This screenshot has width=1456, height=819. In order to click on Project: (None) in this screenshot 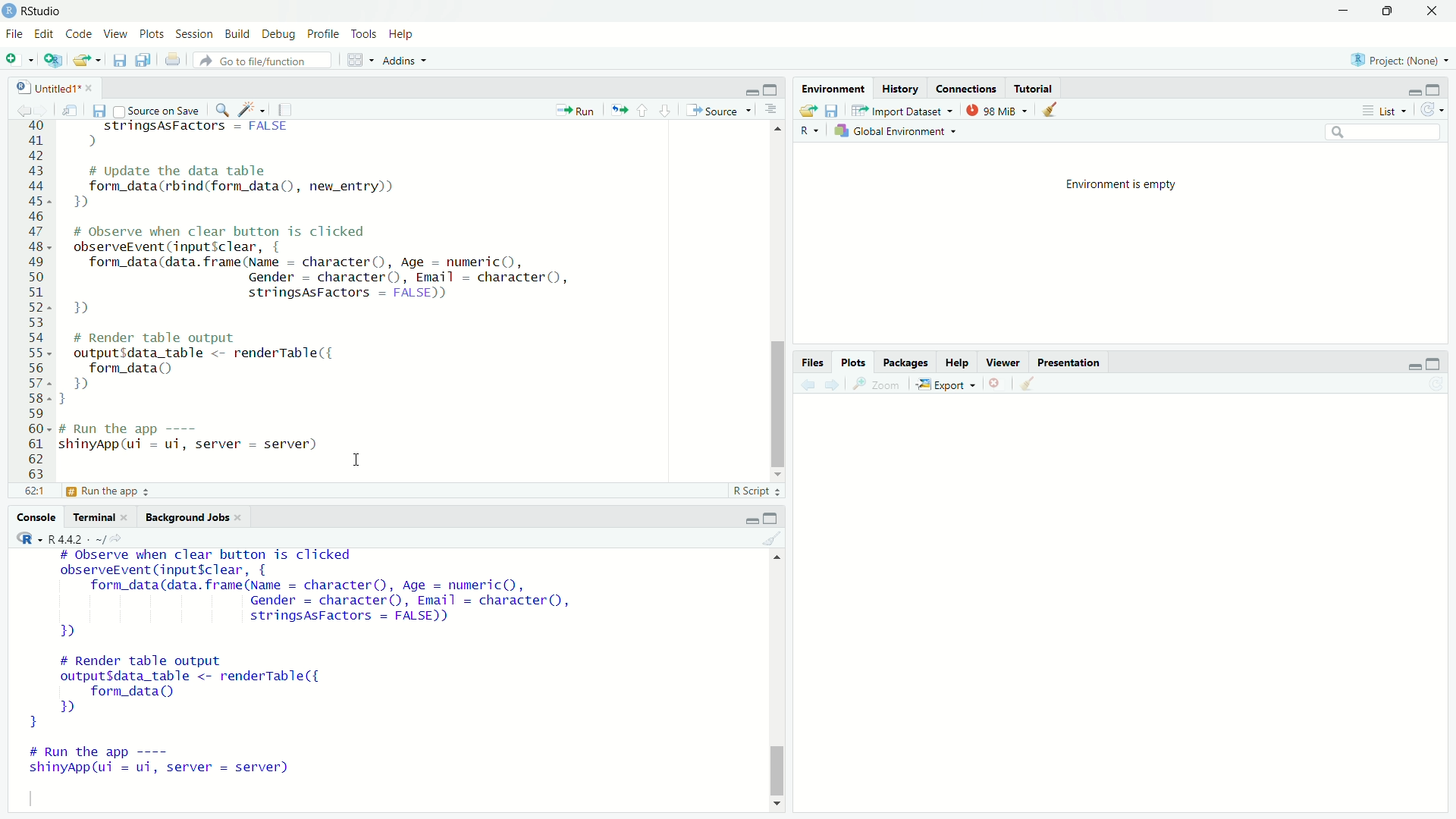, I will do `click(1401, 60)`.